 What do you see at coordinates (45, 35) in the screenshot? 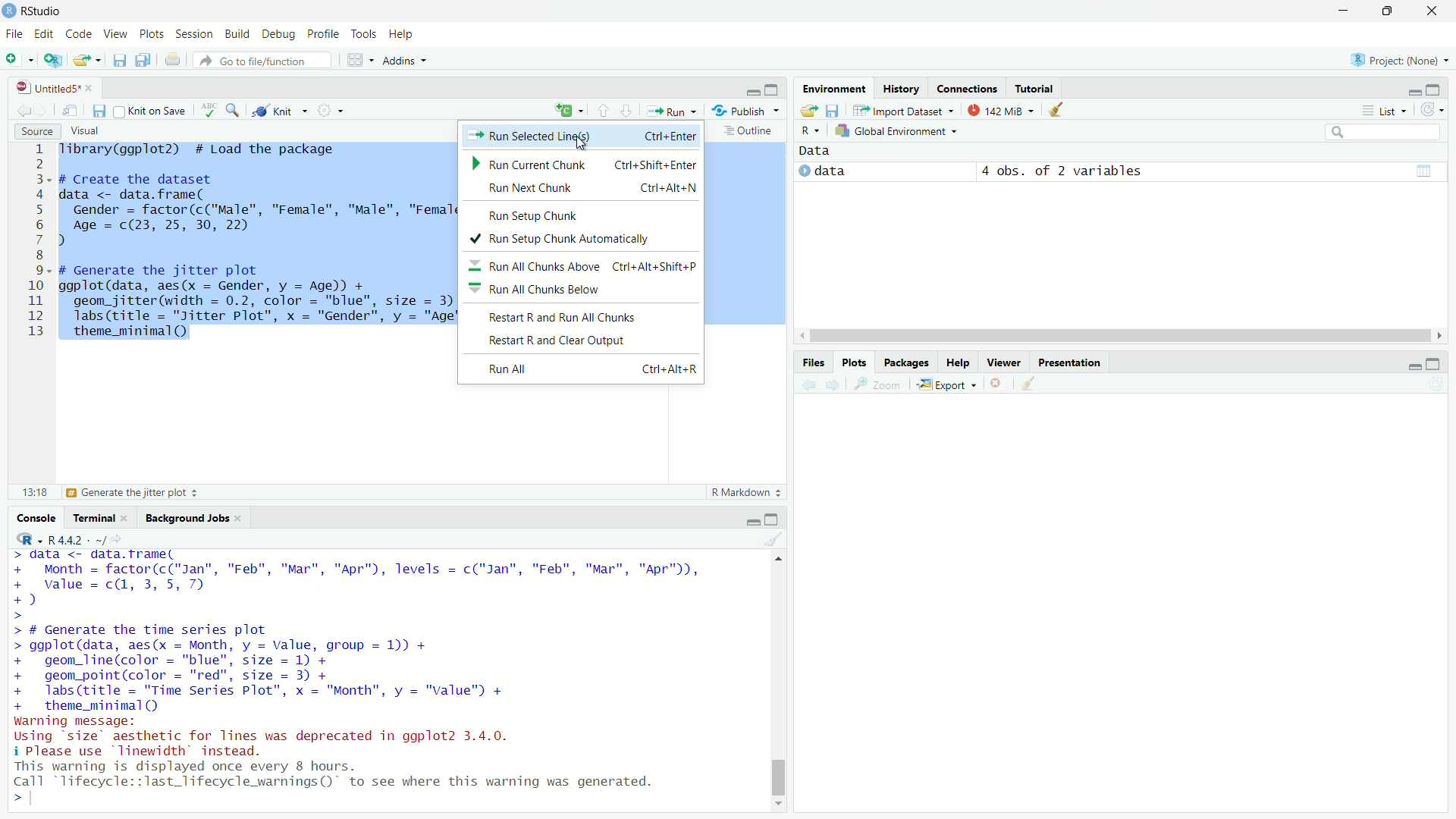
I see `edit` at bounding box center [45, 35].